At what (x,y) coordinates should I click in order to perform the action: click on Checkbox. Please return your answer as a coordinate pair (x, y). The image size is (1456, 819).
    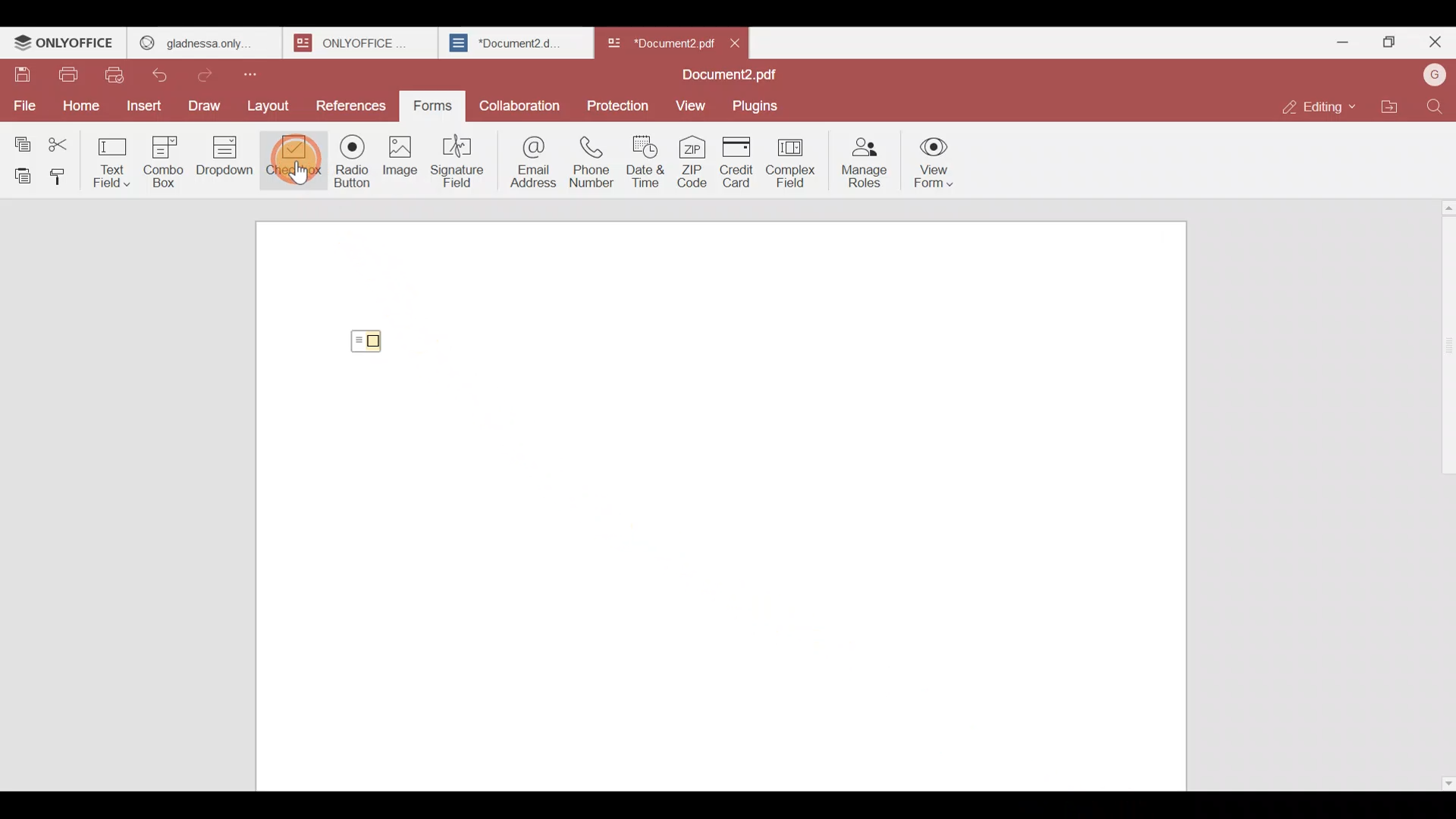
    Looking at the image, I should click on (369, 346).